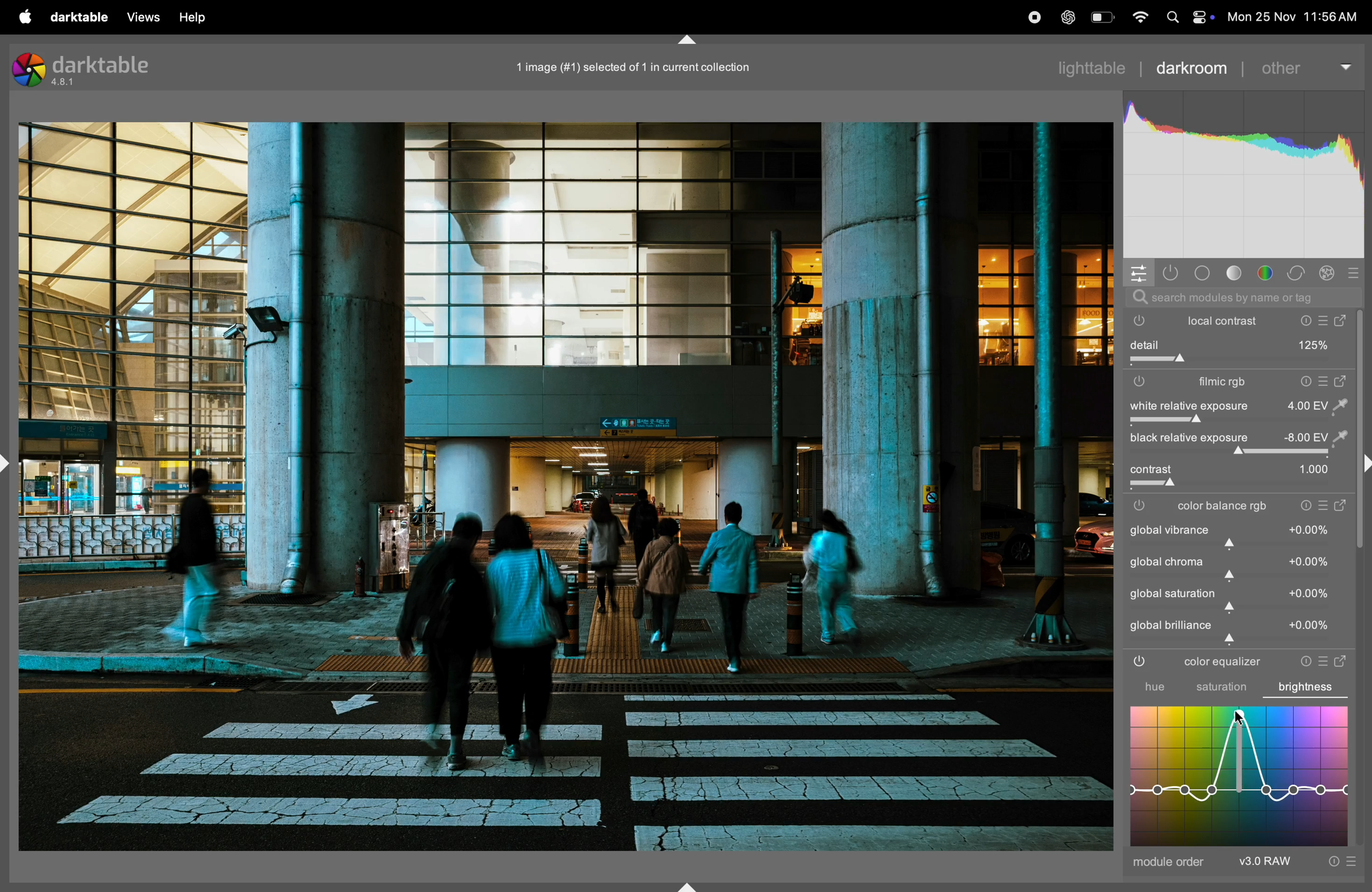  Describe the element at coordinates (1324, 507) in the screenshot. I see `presets` at that location.